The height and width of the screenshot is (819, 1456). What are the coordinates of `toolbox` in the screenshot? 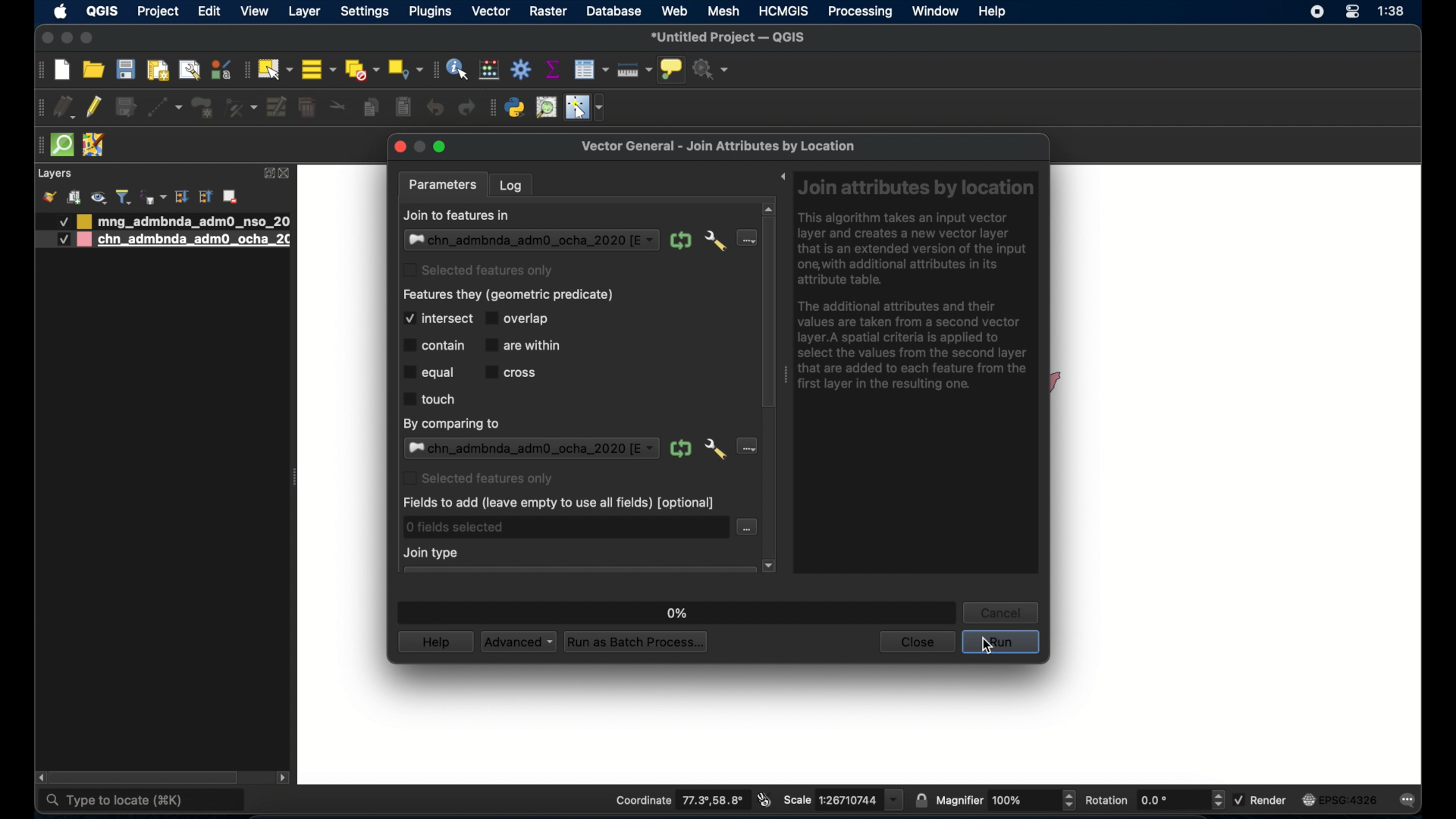 It's located at (521, 68).